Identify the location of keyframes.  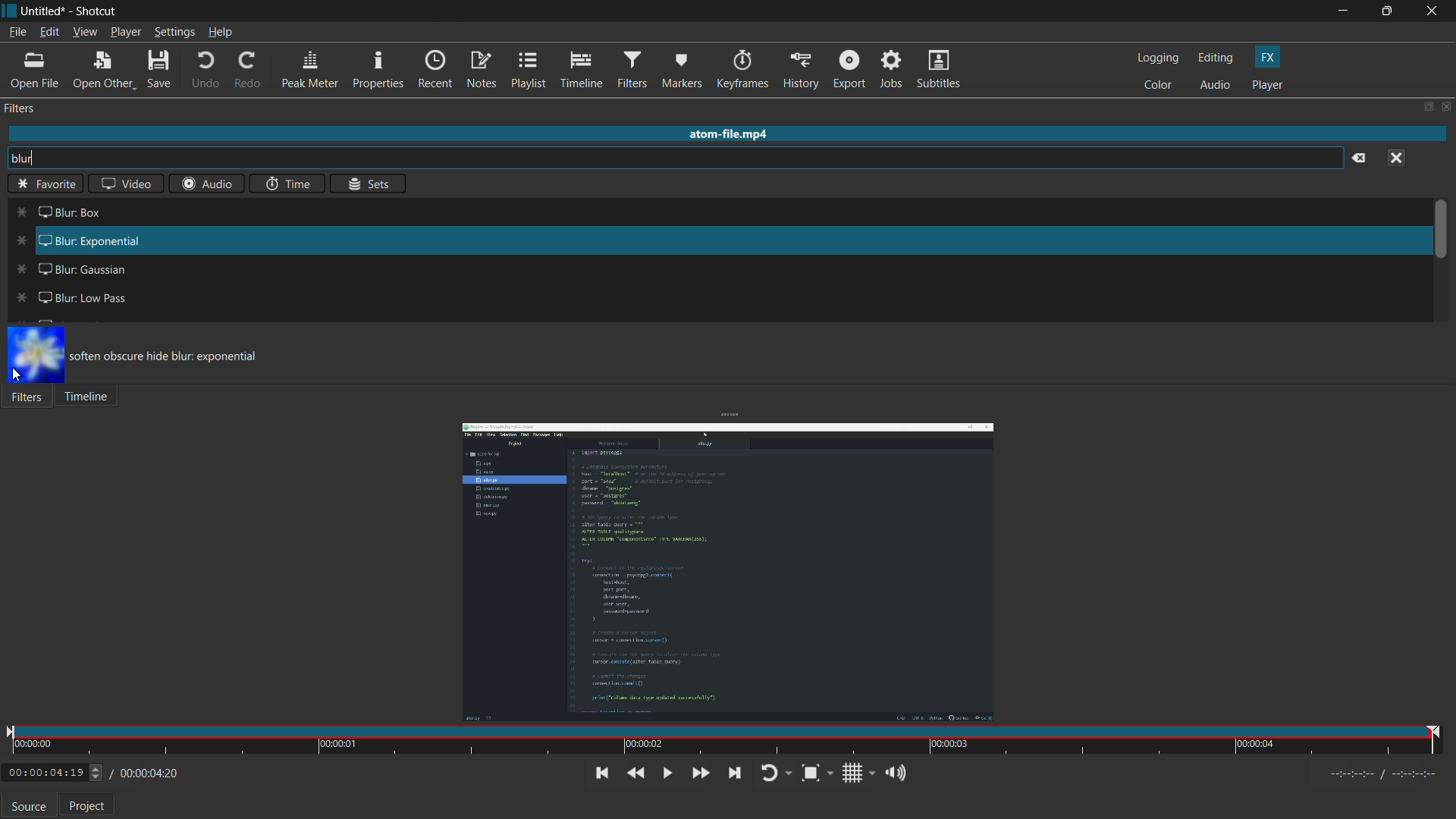
(743, 71).